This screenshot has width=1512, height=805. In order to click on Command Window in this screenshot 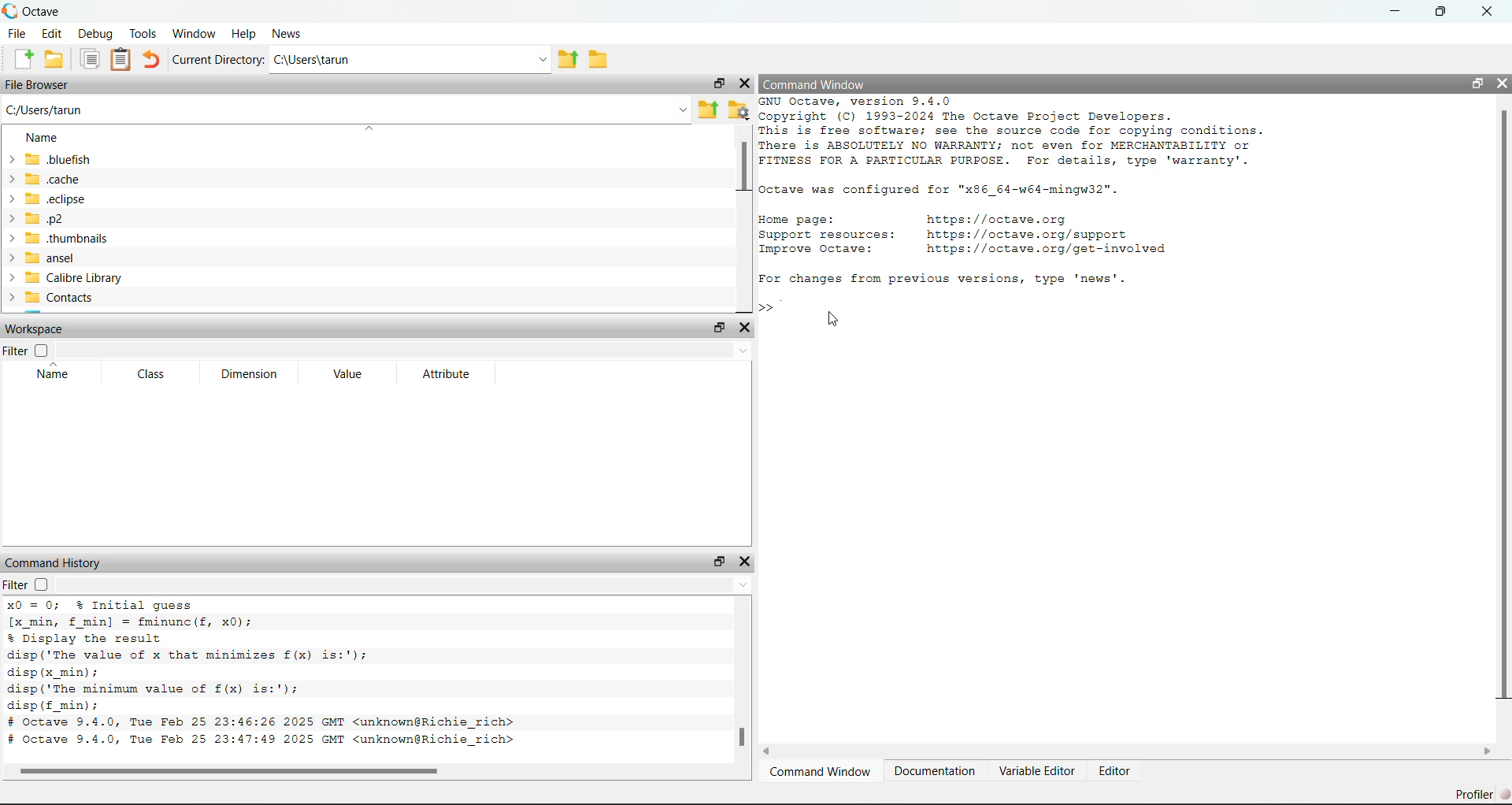, I will do `click(817, 83)`.